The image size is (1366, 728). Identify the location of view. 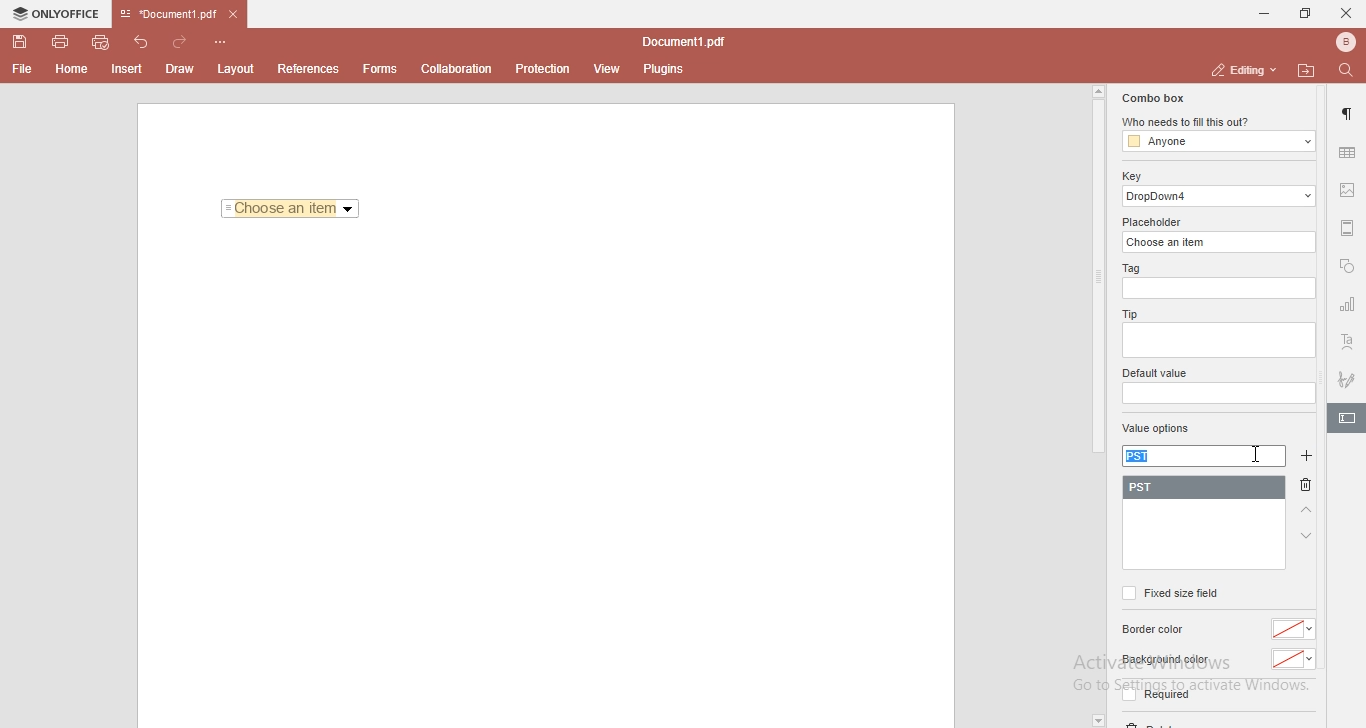
(608, 69).